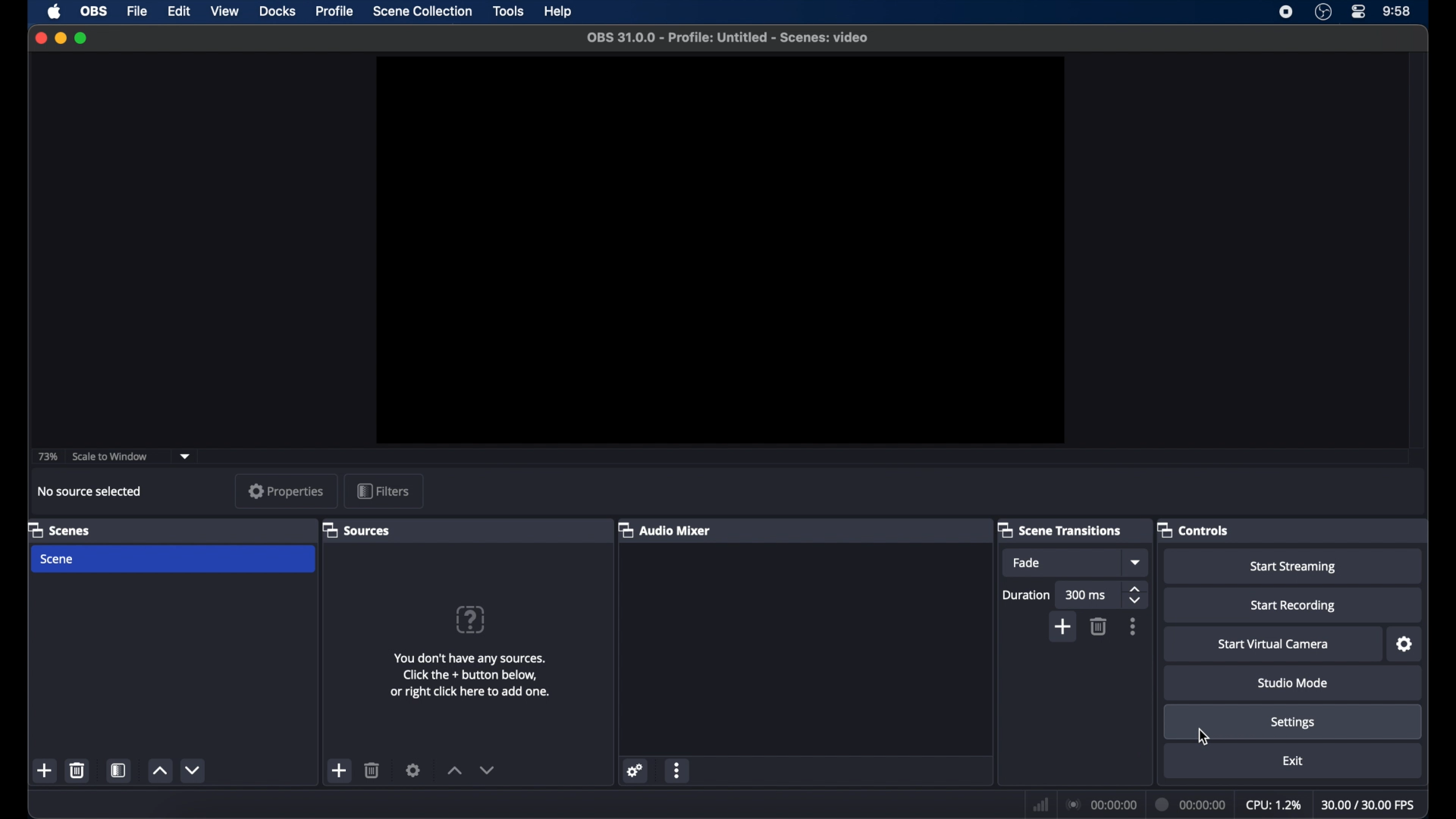  What do you see at coordinates (287, 491) in the screenshot?
I see `properties` at bounding box center [287, 491].